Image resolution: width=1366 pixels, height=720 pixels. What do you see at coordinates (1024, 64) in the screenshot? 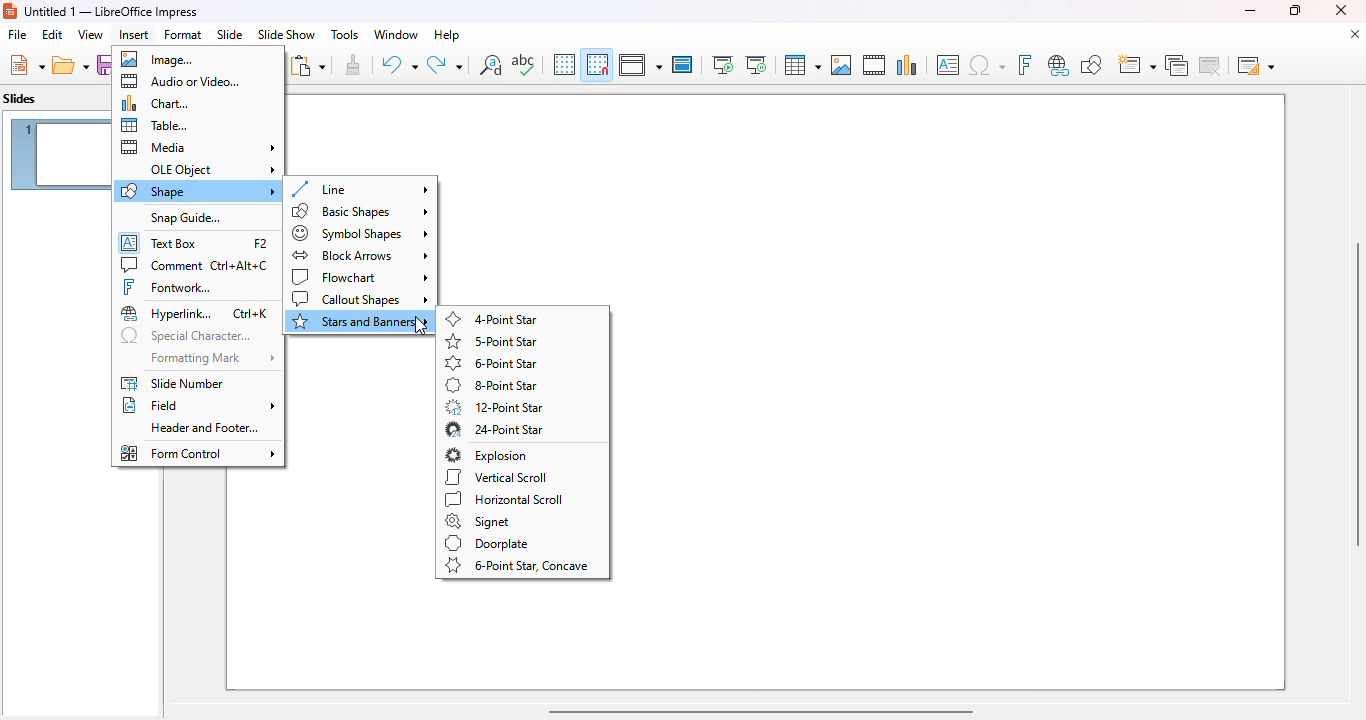
I see `insert fontwork text` at bounding box center [1024, 64].